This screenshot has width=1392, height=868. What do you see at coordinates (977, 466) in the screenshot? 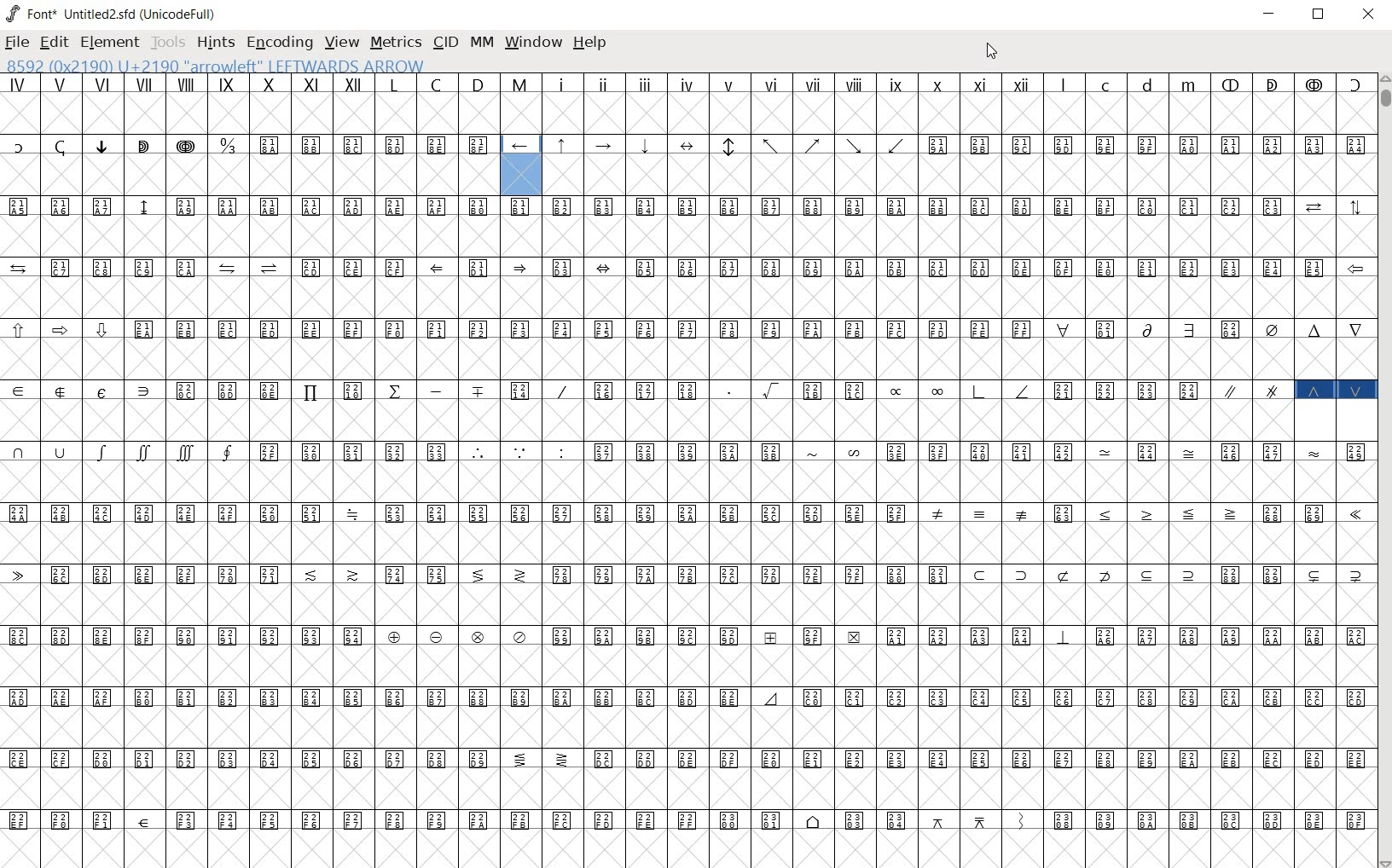
I see `glyphs characters` at bounding box center [977, 466].